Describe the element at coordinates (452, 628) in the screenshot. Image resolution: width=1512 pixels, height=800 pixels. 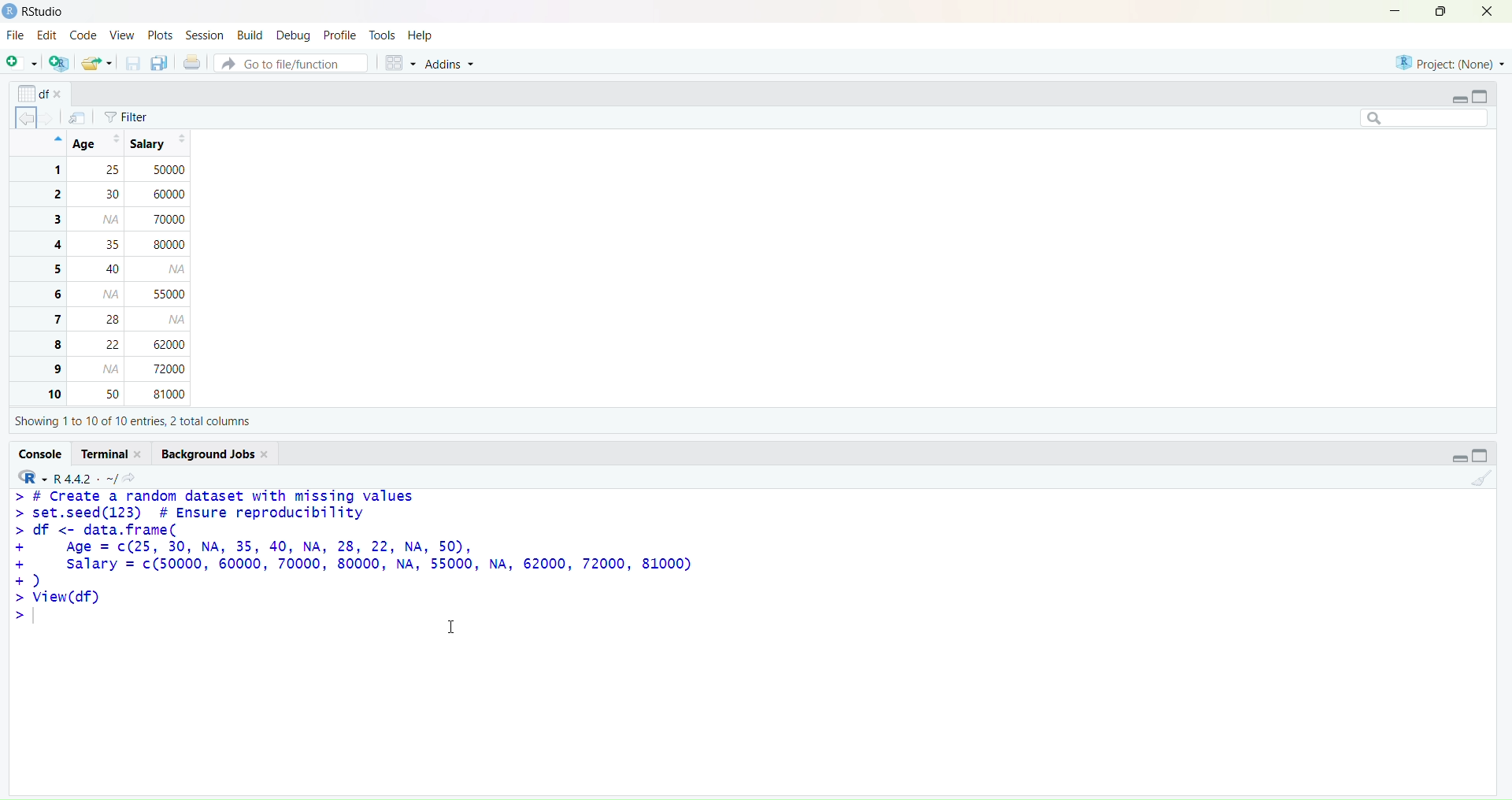
I see `cursor` at that location.